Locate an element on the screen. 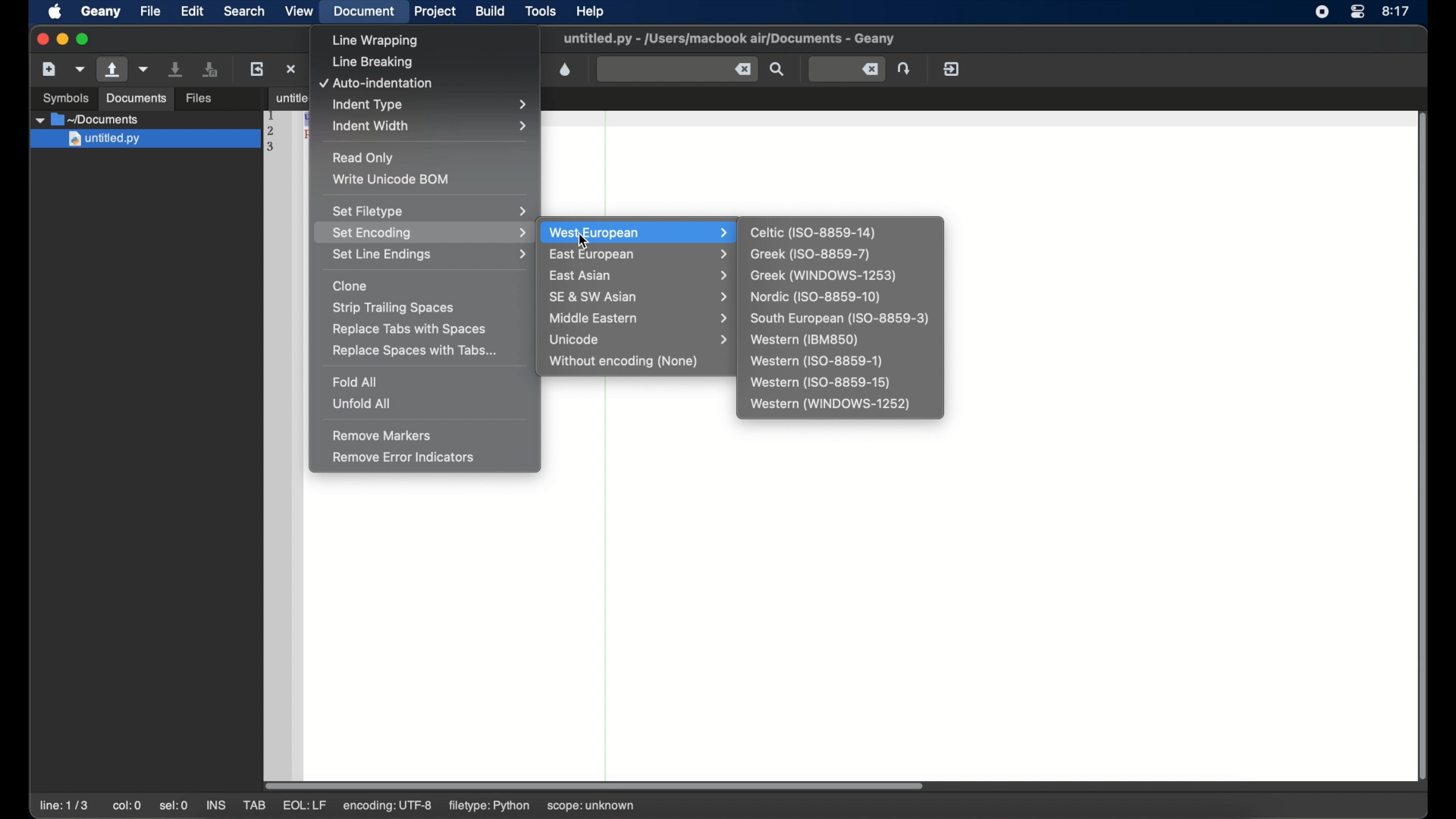 Image resolution: width=1456 pixels, height=819 pixels. west european menu highlighted is located at coordinates (637, 232).